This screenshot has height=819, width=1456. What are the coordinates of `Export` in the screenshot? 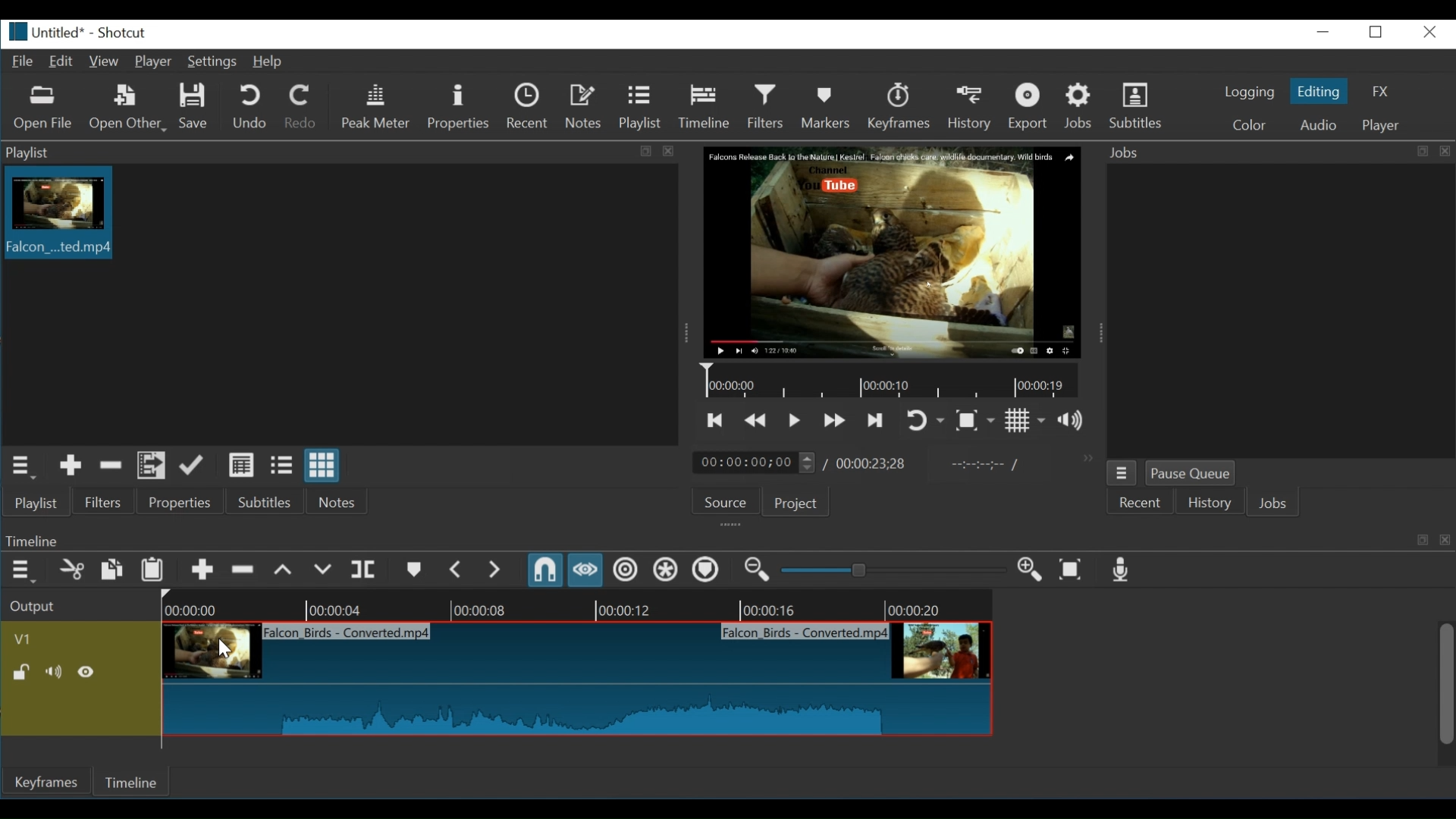 It's located at (1034, 106).